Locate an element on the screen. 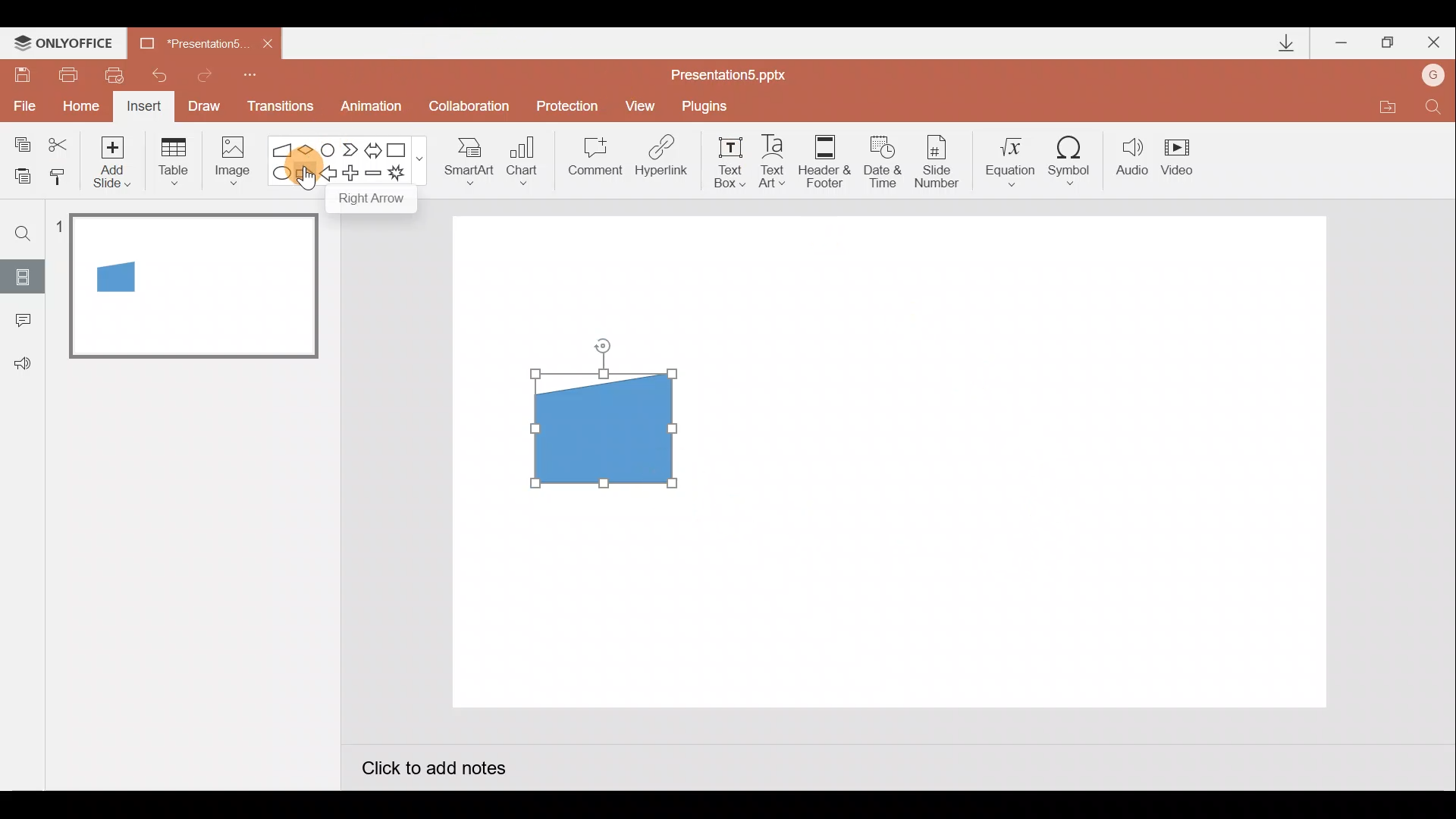  File is located at coordinates (21, 102).